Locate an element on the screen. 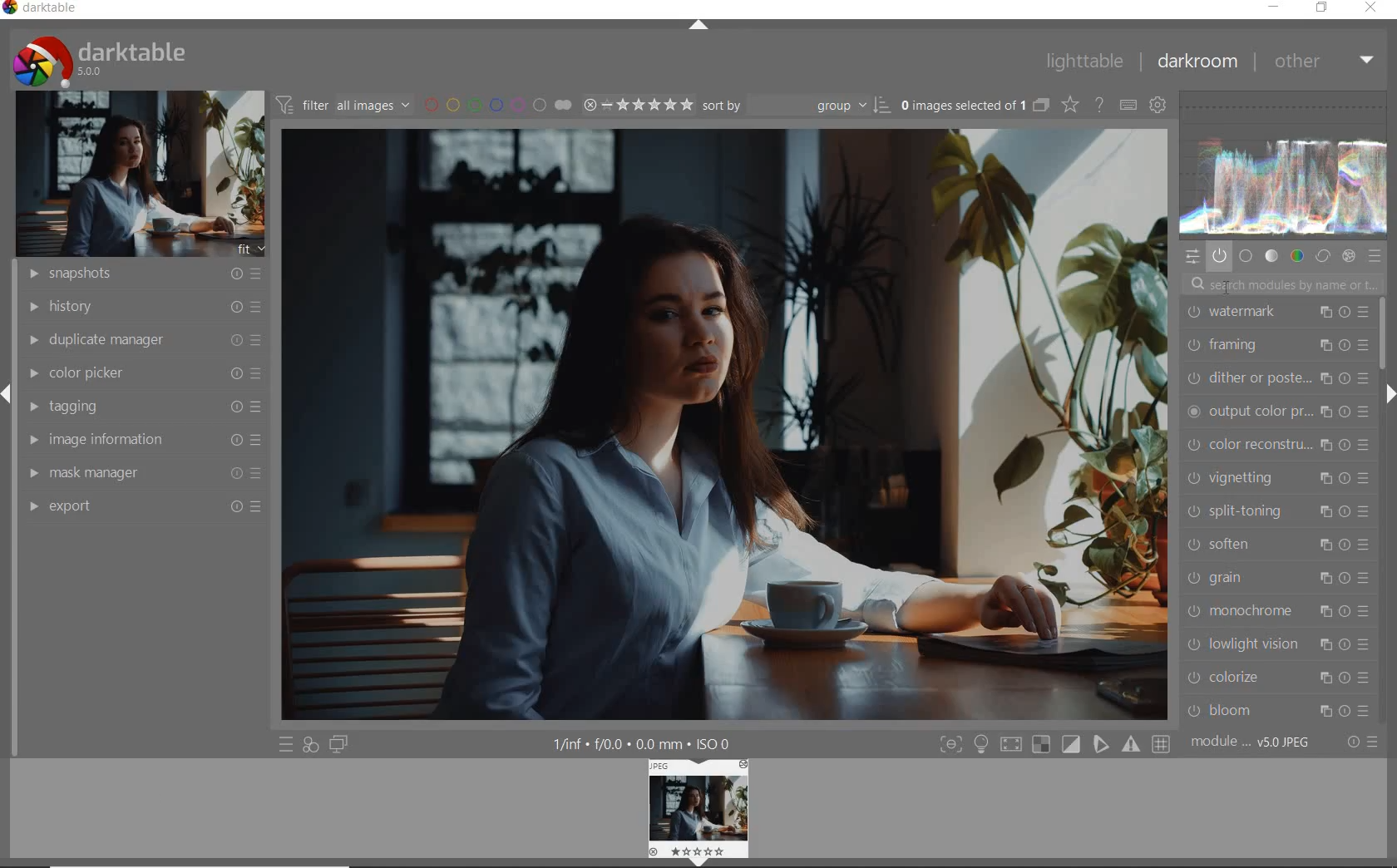 This screenshot has width=1397, height=868. tagging is located at coordinates (142, 407).